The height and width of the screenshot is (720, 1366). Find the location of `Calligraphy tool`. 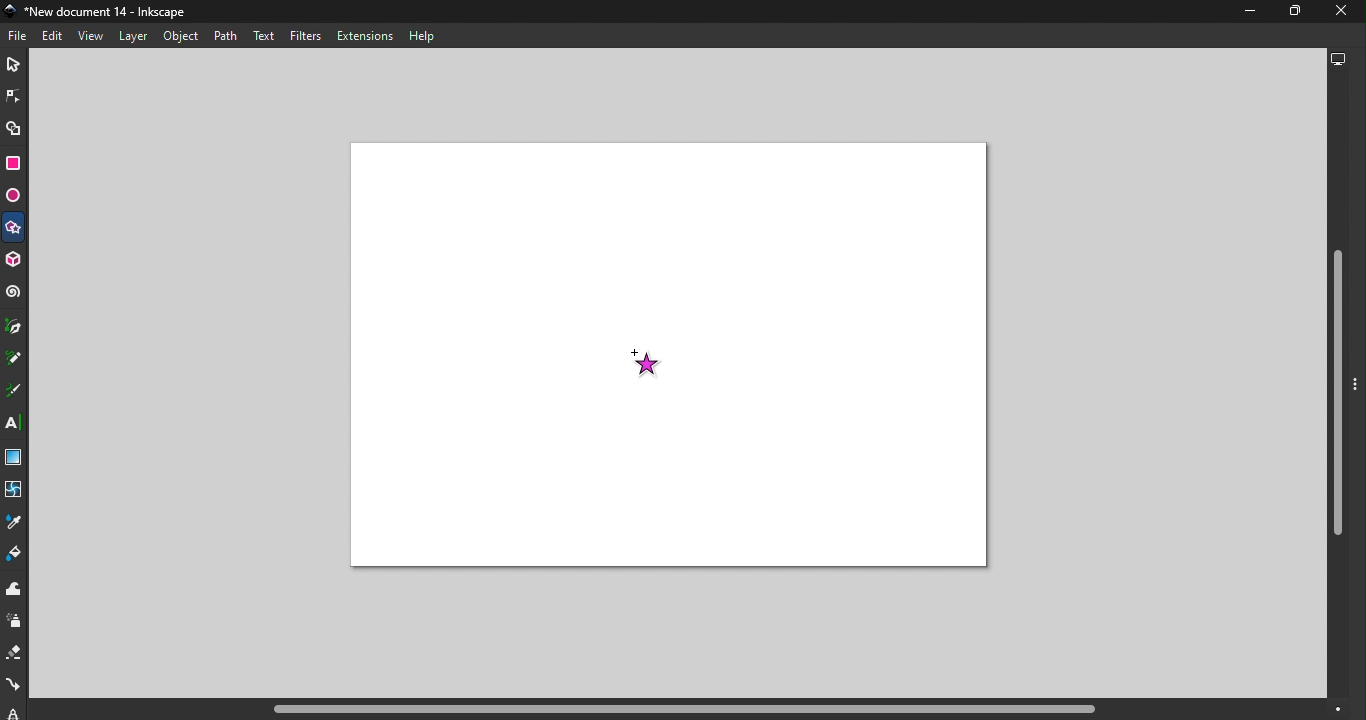

Calligraphy tool is located at coordinates (17, 391).